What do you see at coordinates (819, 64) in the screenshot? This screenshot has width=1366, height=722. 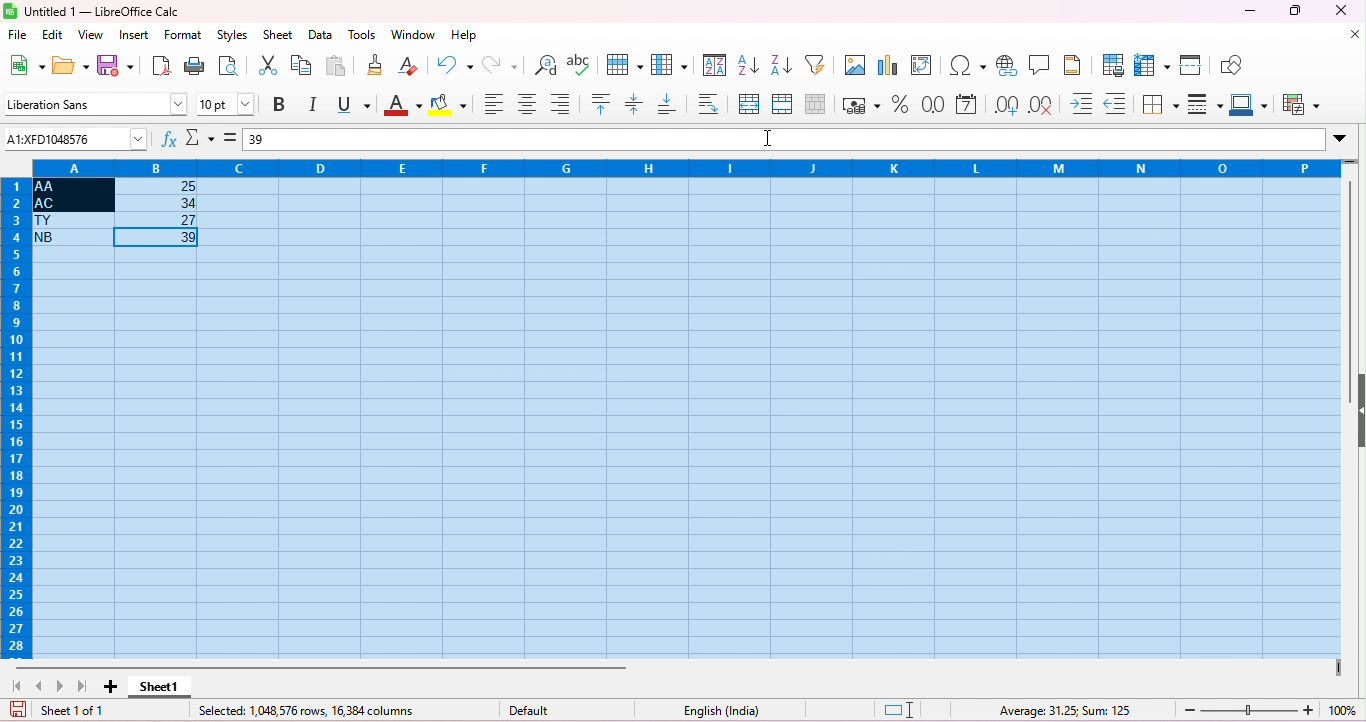 I see `filter` at bounding box center [819, 64].